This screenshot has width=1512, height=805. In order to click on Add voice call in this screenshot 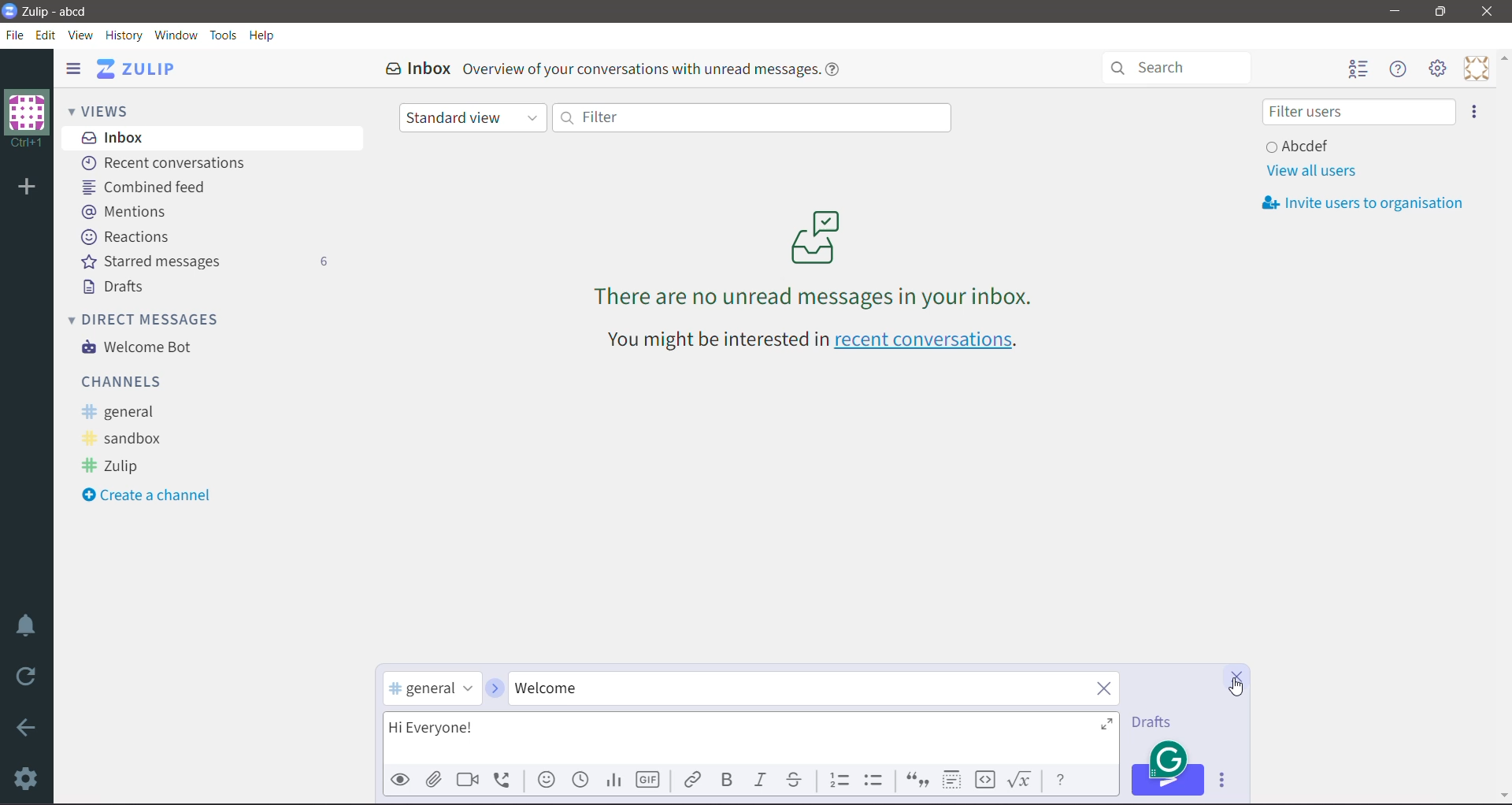, I will do `click(507, 779)`.